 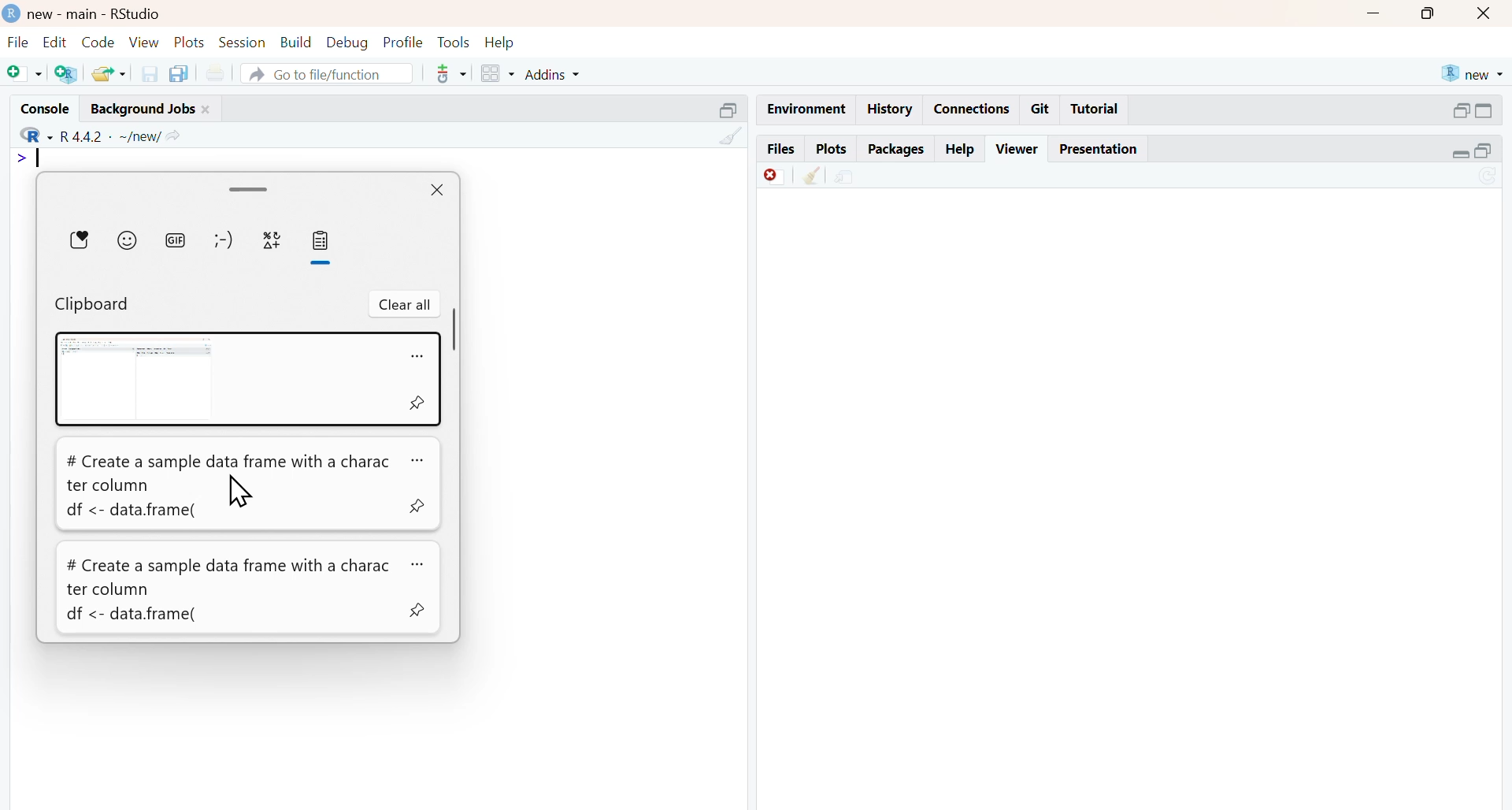 I want to click on more, so click(x=417, y=356).